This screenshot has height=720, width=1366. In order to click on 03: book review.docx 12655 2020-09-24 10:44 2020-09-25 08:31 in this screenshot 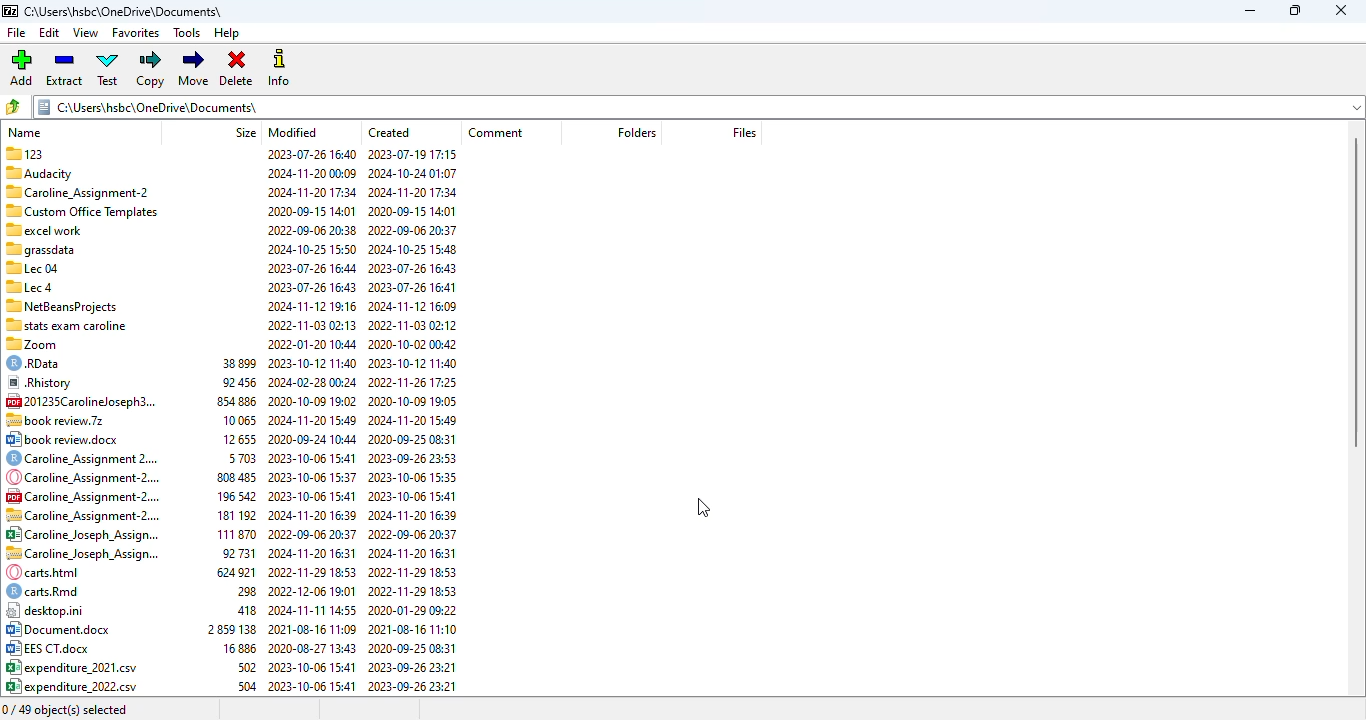, I will do `click(229, 421)`.